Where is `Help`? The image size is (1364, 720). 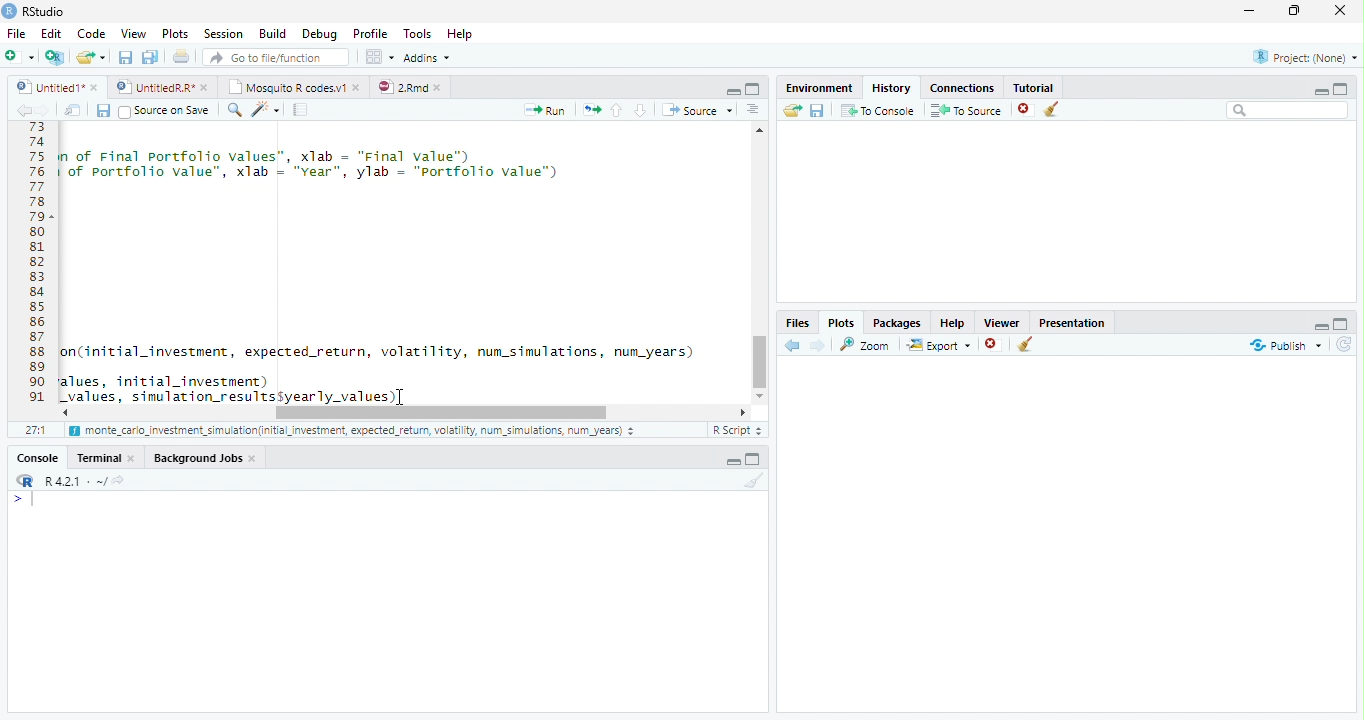
Help is located at coordinates (952, 322).